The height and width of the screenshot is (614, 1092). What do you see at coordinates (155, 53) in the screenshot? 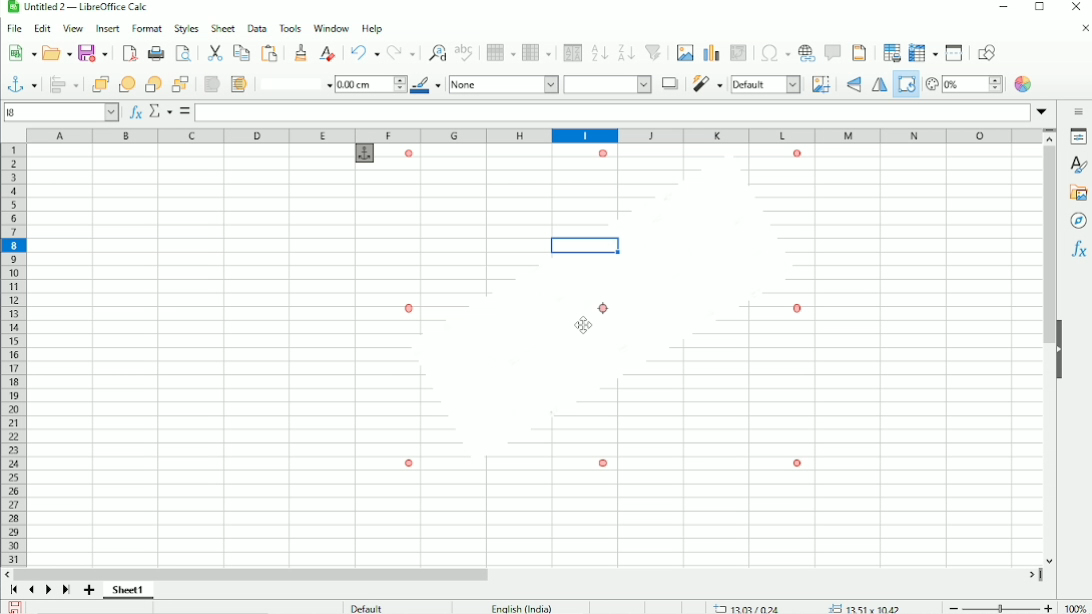
I see `Print` at bounding box center [155, 53].